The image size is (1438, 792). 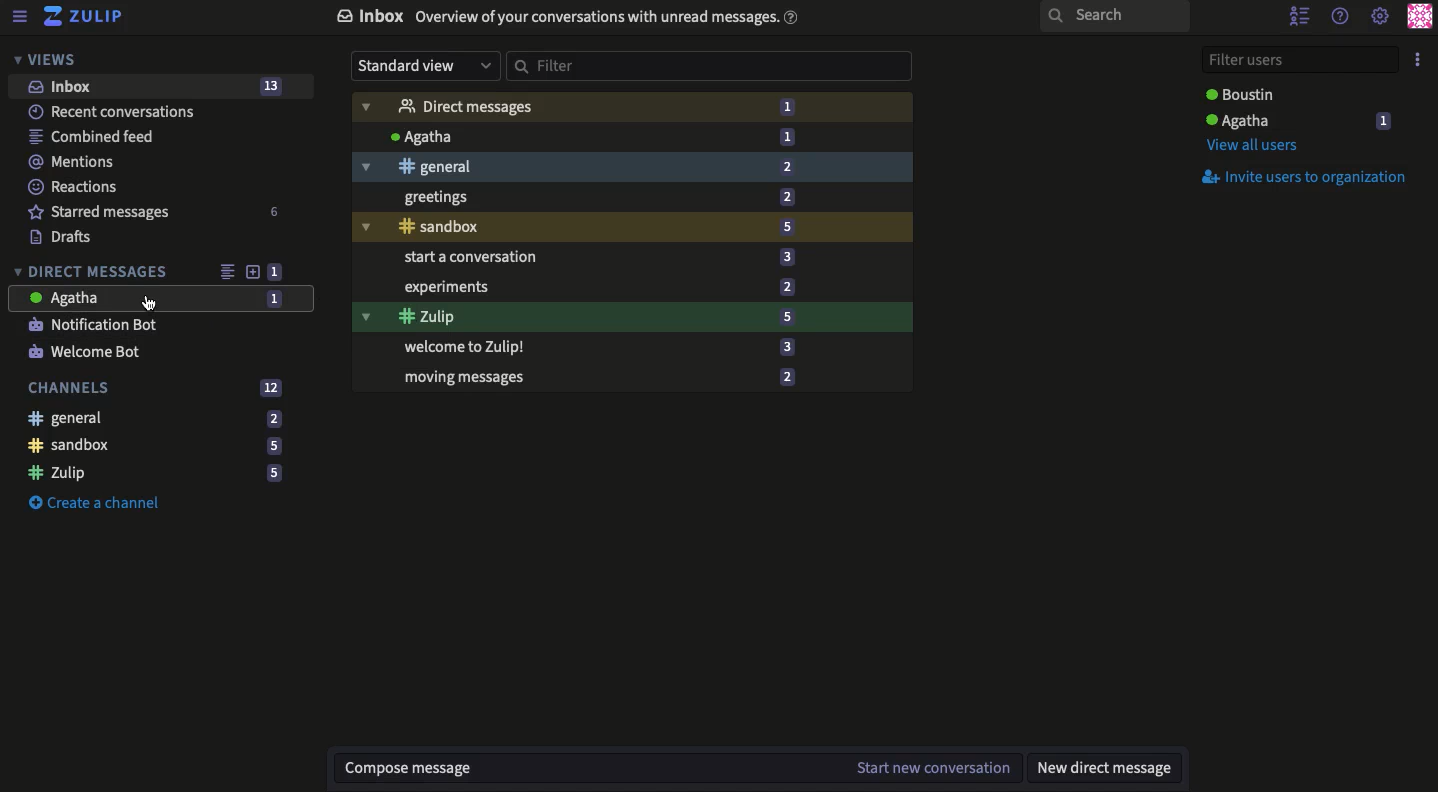 I want to click on Starred messages, so click(x=156, y=211).